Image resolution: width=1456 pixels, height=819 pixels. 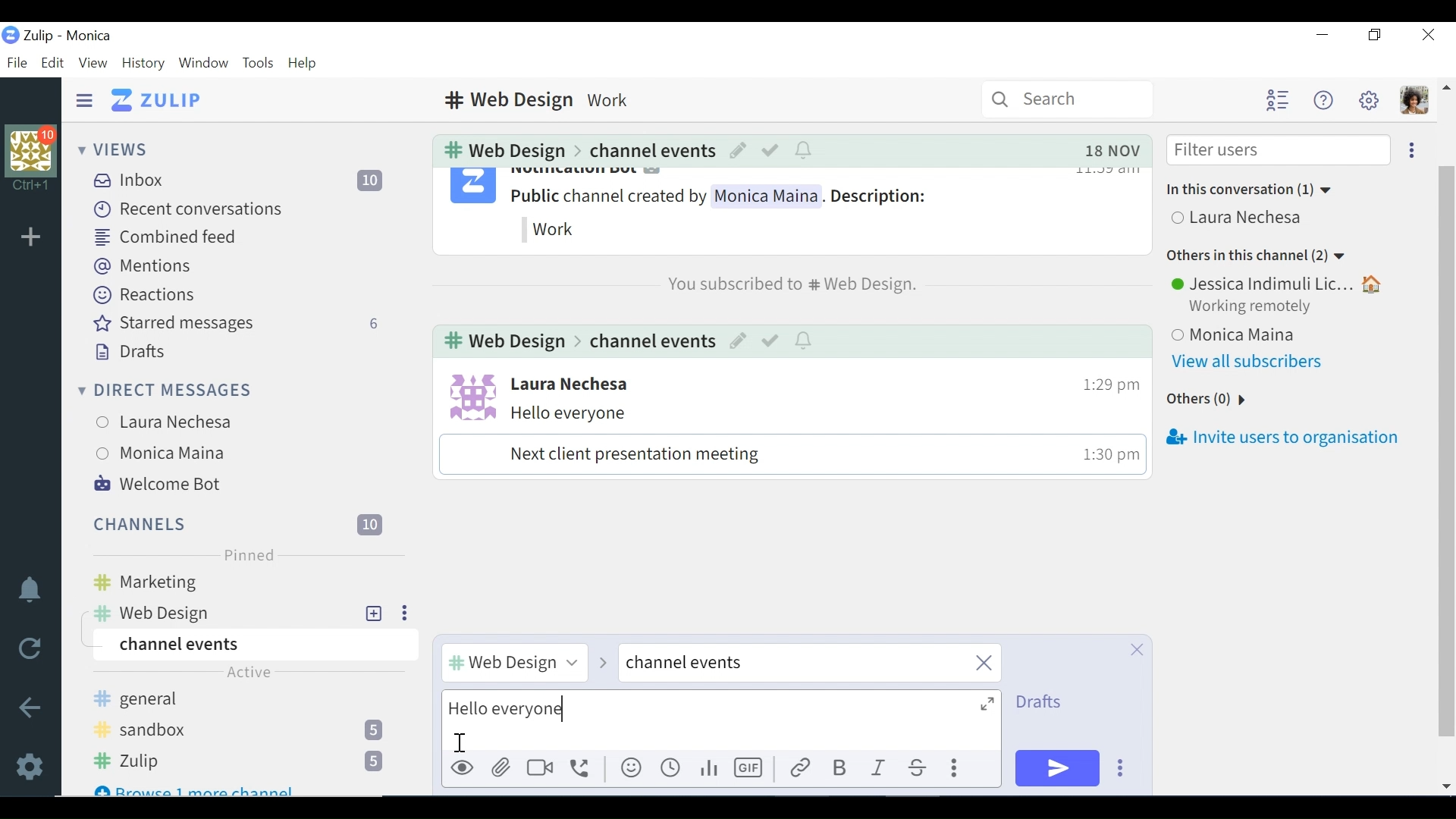 I want to click on Mark as resolved, so click(x=771, y=149).